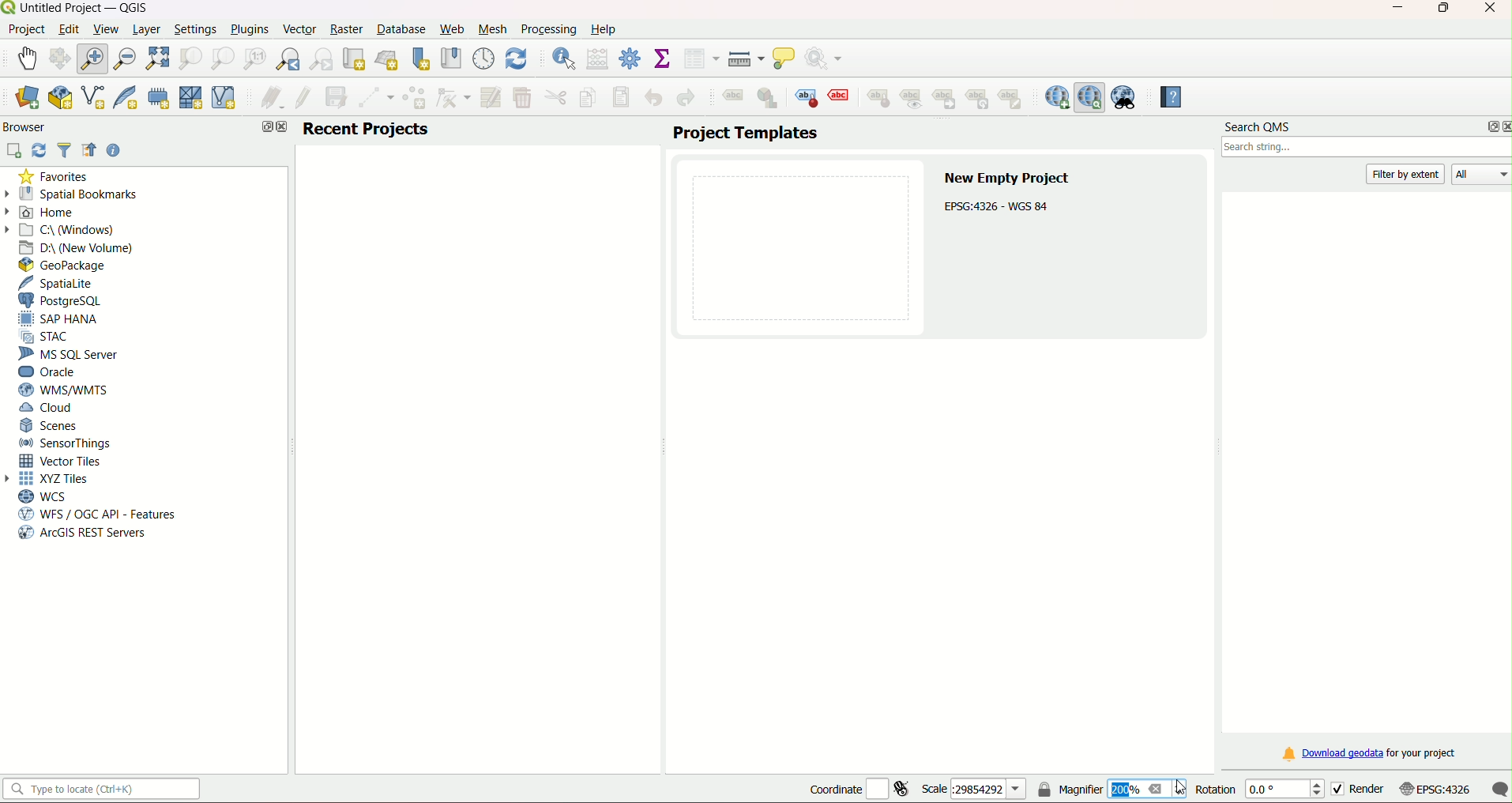 The height and width of the screenshot is (803, 1512). What do you see at coordinates (49, 409) in the screenshot?
I see `Cloud` at bounding box center [49, 409].